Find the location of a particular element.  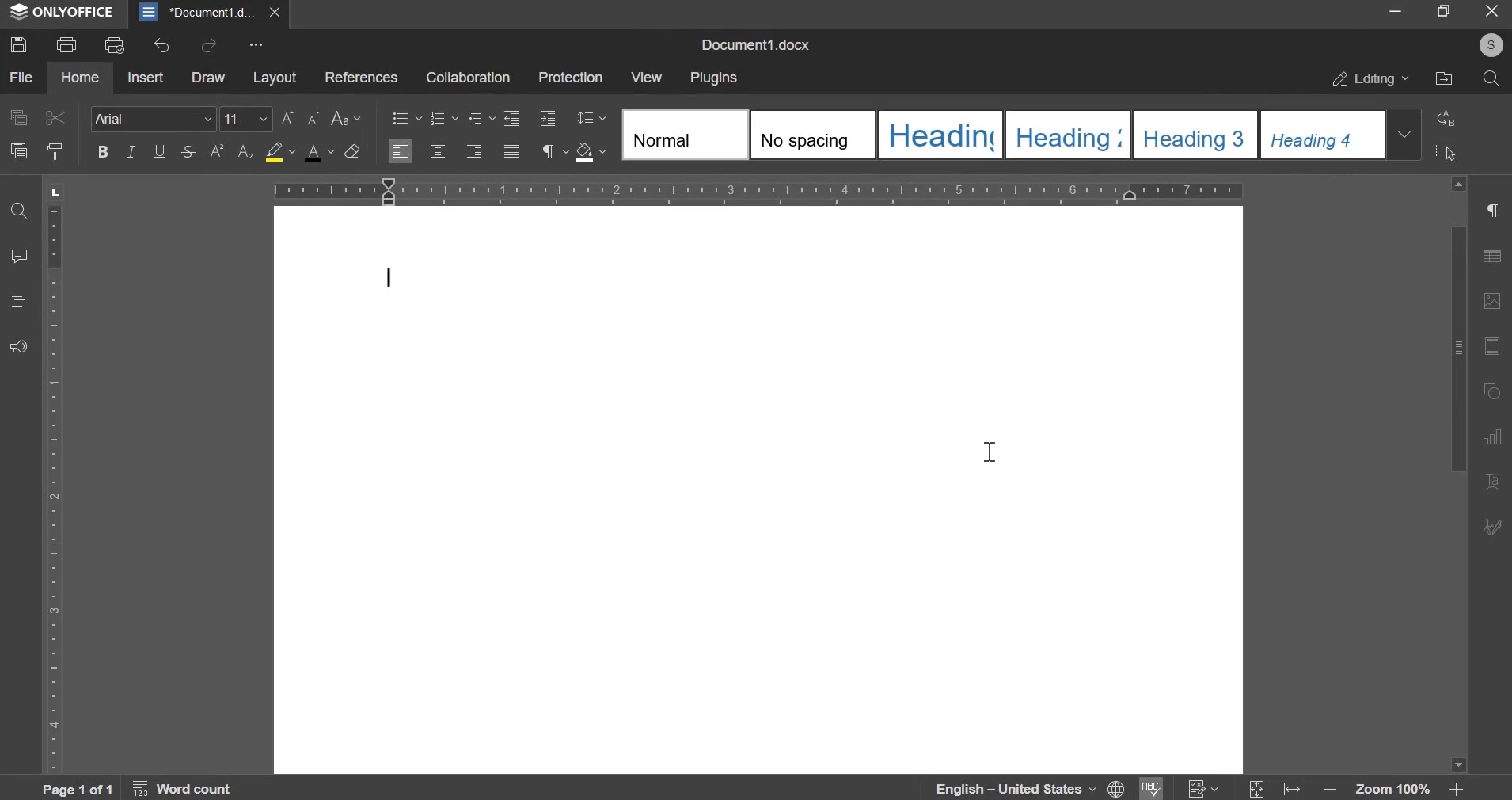

paste is located at coordinates (21, 152).